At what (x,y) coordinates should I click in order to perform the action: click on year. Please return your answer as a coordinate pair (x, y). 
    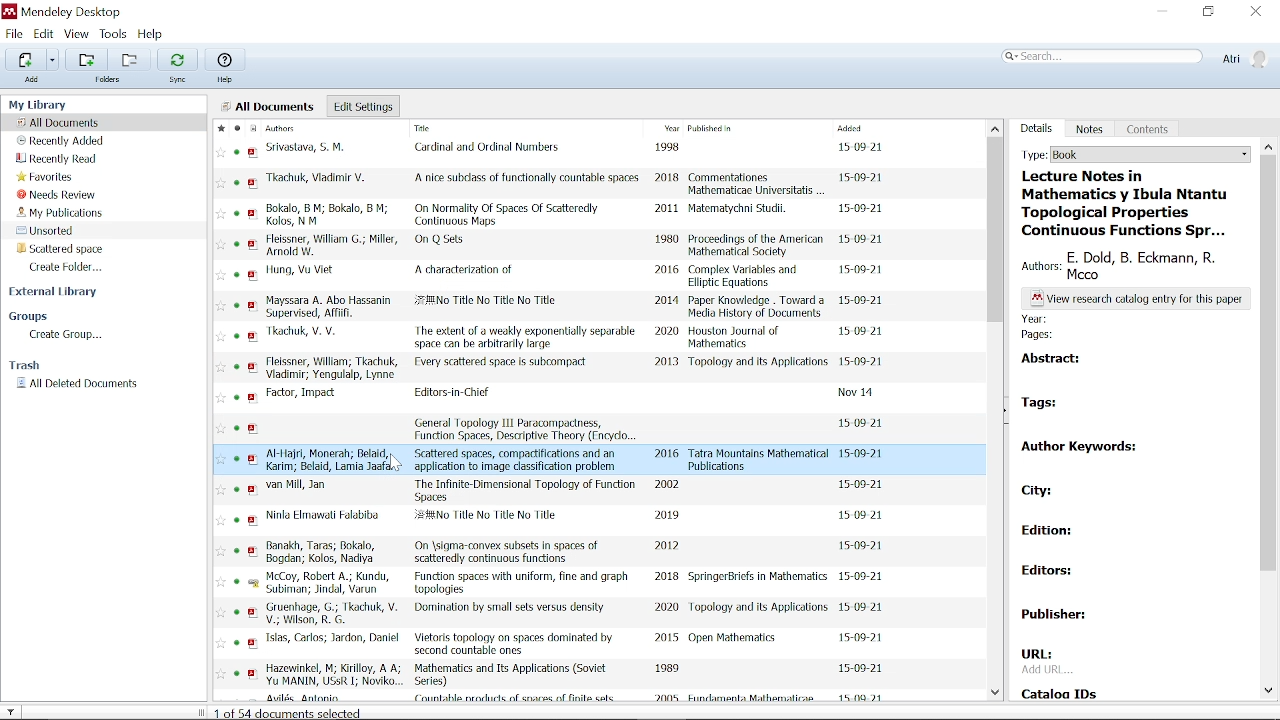
    Looking at the image, I should click on (1037, 318).